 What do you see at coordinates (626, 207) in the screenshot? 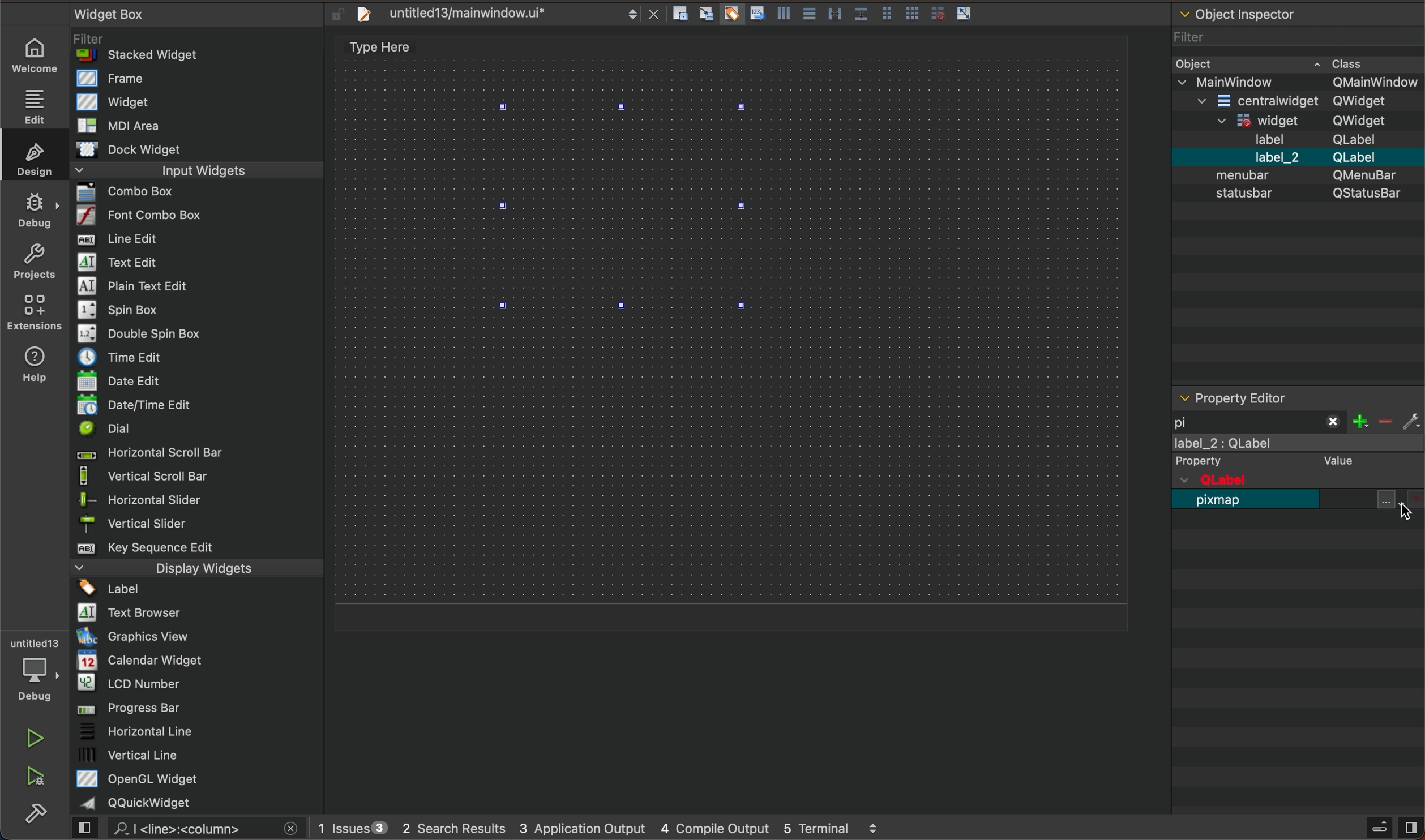
I see `label widget` at bounding box center [626, 207].